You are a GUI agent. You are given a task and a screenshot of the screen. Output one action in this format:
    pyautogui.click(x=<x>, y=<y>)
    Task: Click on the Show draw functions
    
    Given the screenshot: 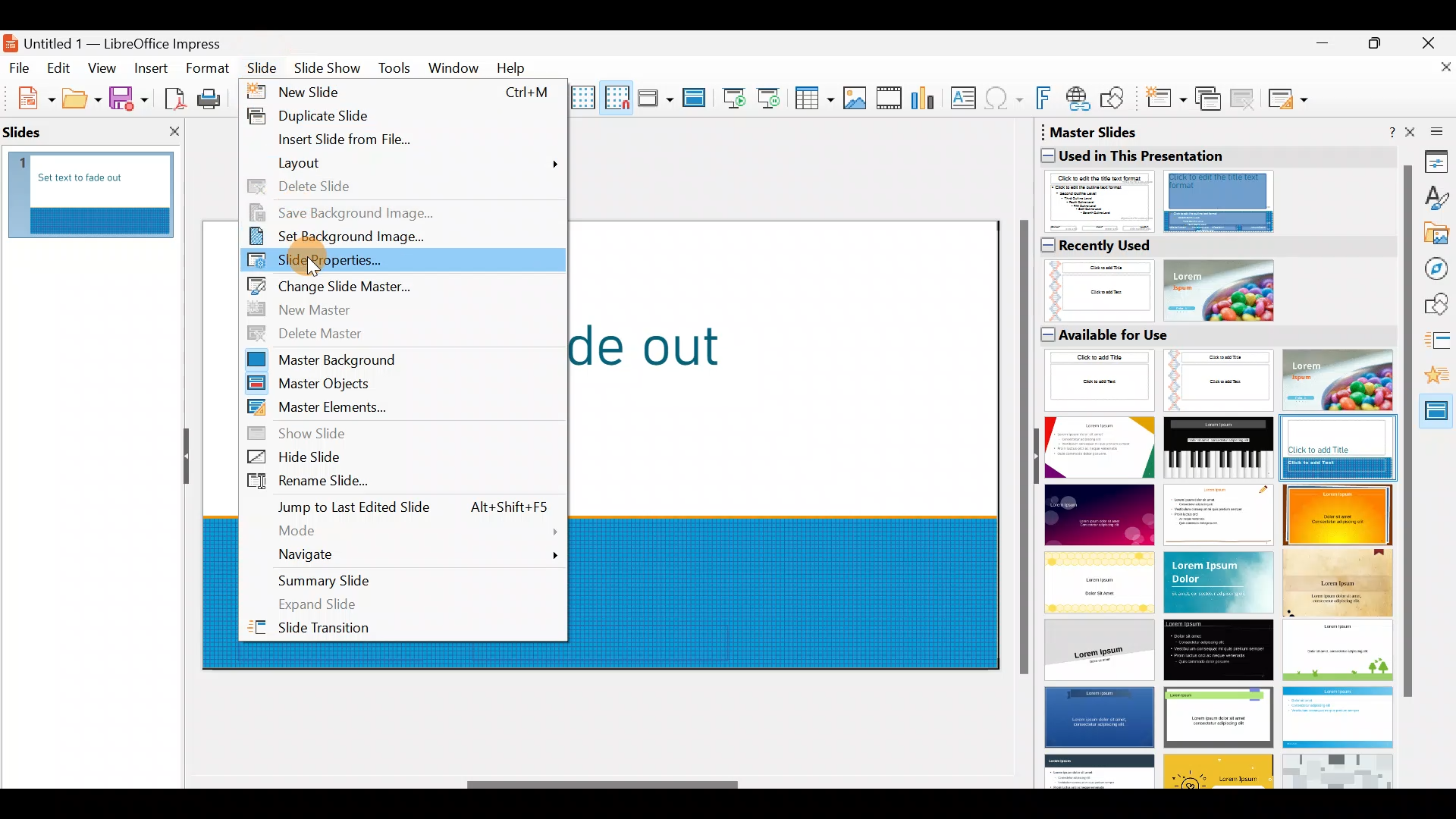 What is the action you would take?
    pyautogui.click(x=1116, y=99)
    